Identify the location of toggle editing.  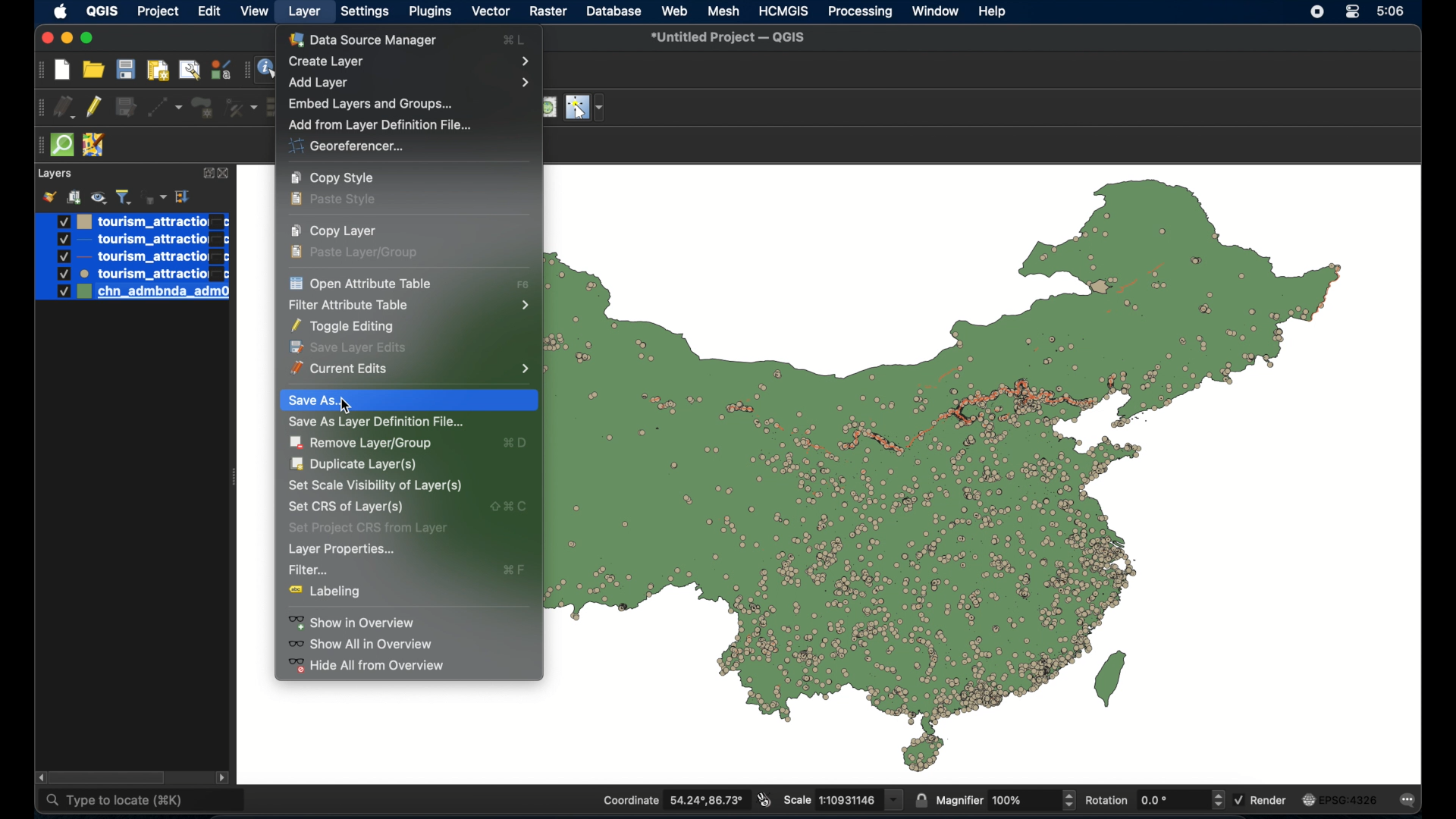
(96, 108).